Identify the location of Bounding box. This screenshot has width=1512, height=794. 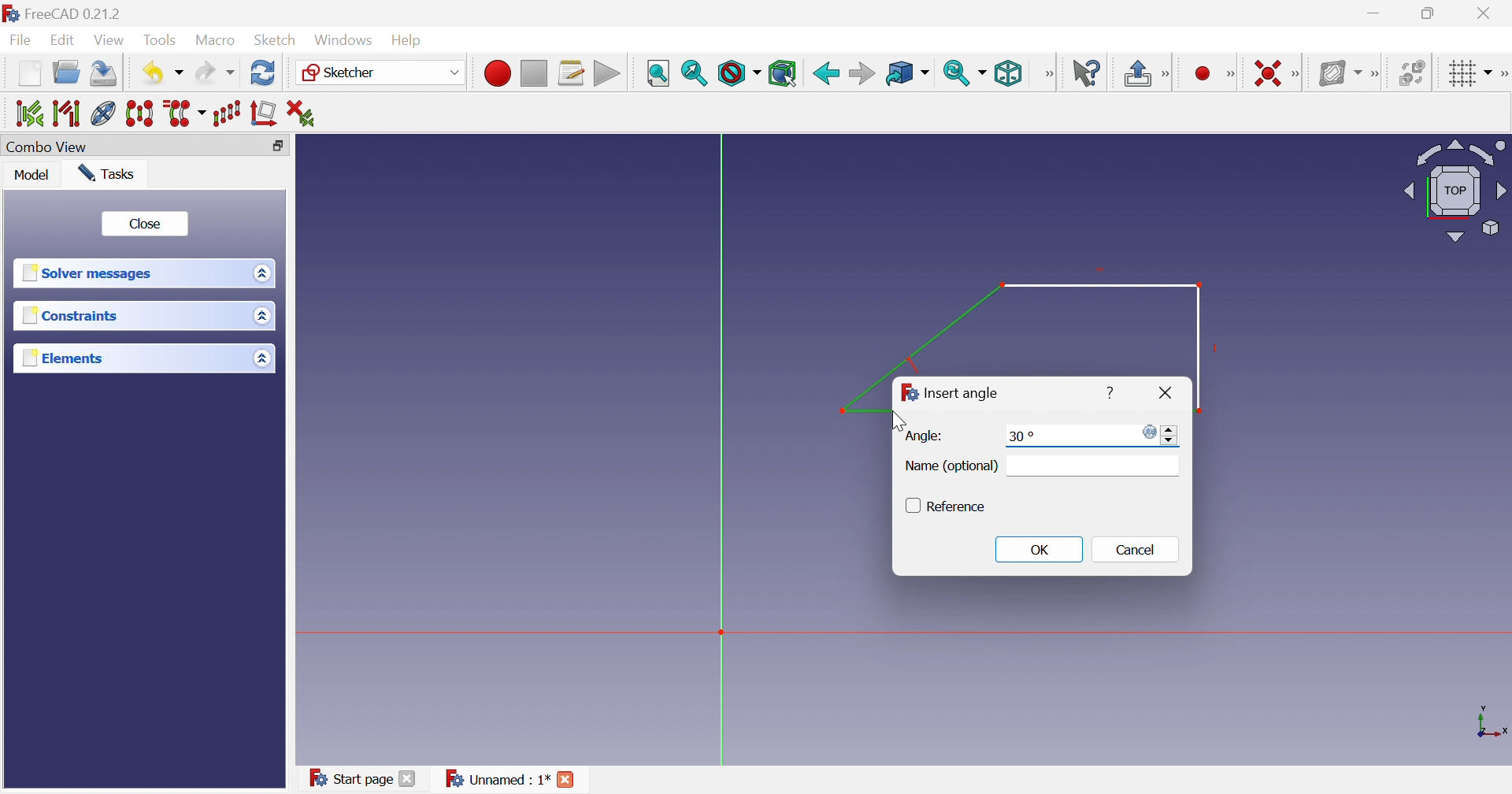
(784, 72).